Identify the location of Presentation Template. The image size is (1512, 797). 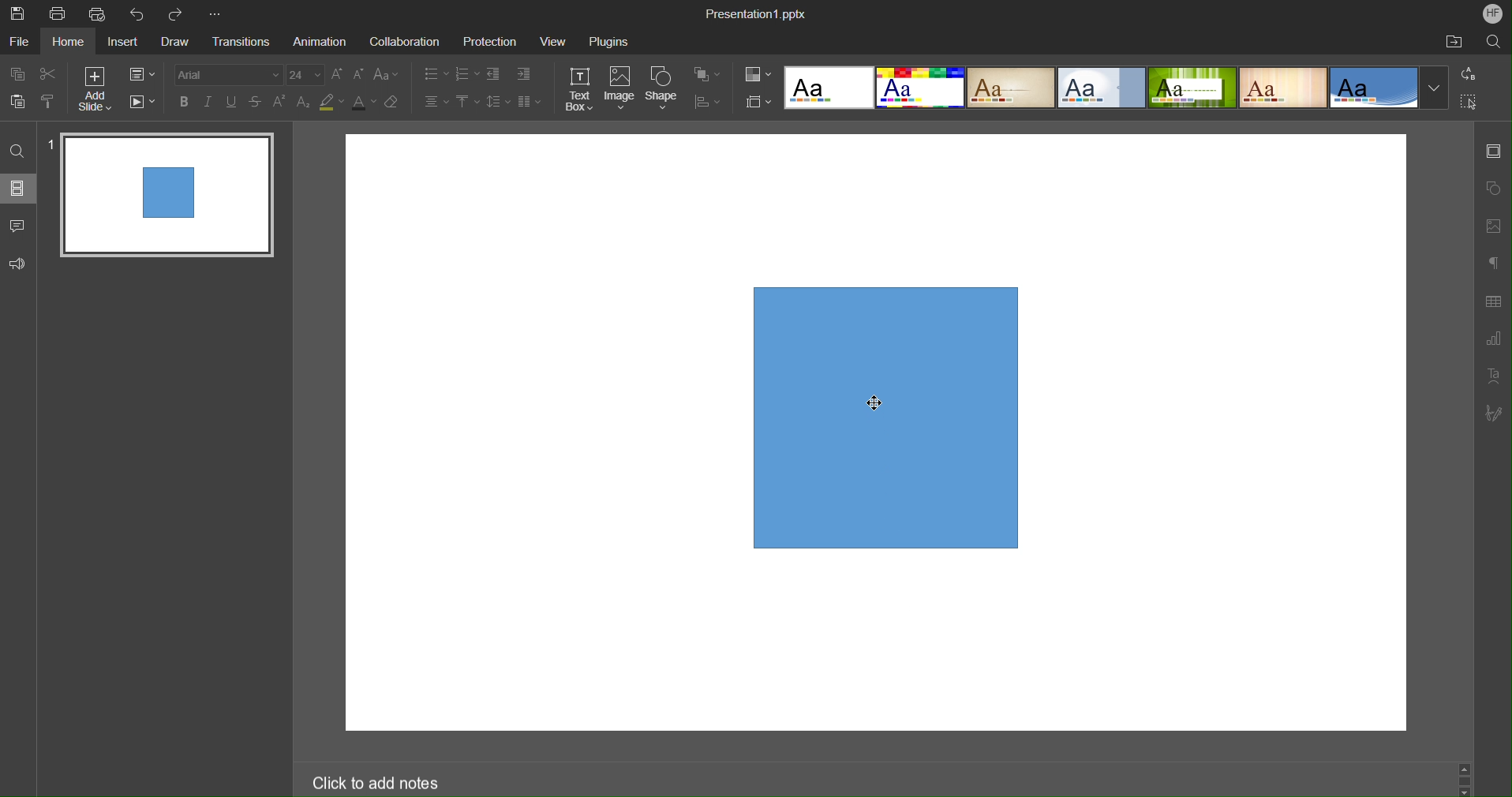
(1110, 89).